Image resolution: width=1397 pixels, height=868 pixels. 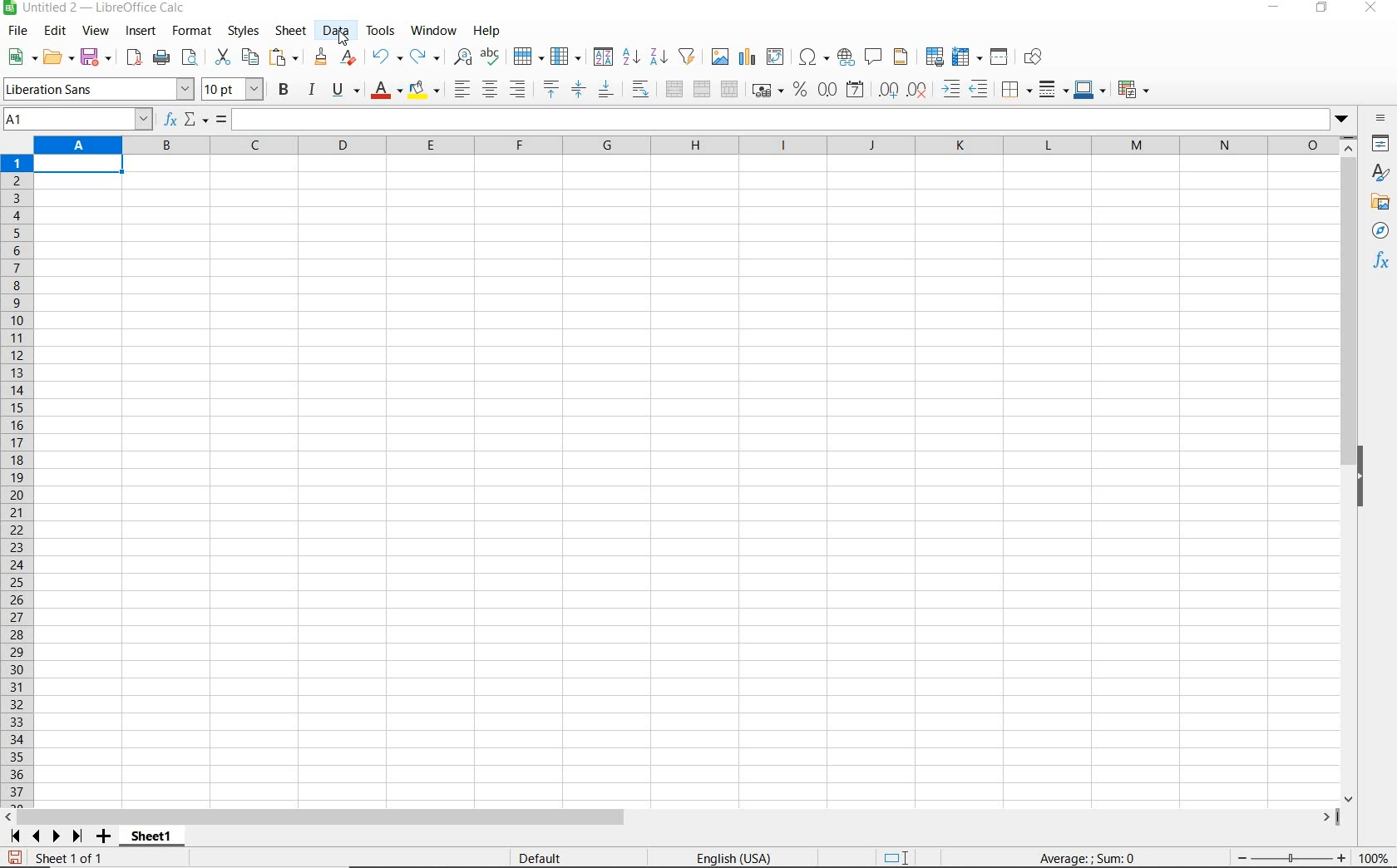 I want to click on select function, so click(x=196, y=121).